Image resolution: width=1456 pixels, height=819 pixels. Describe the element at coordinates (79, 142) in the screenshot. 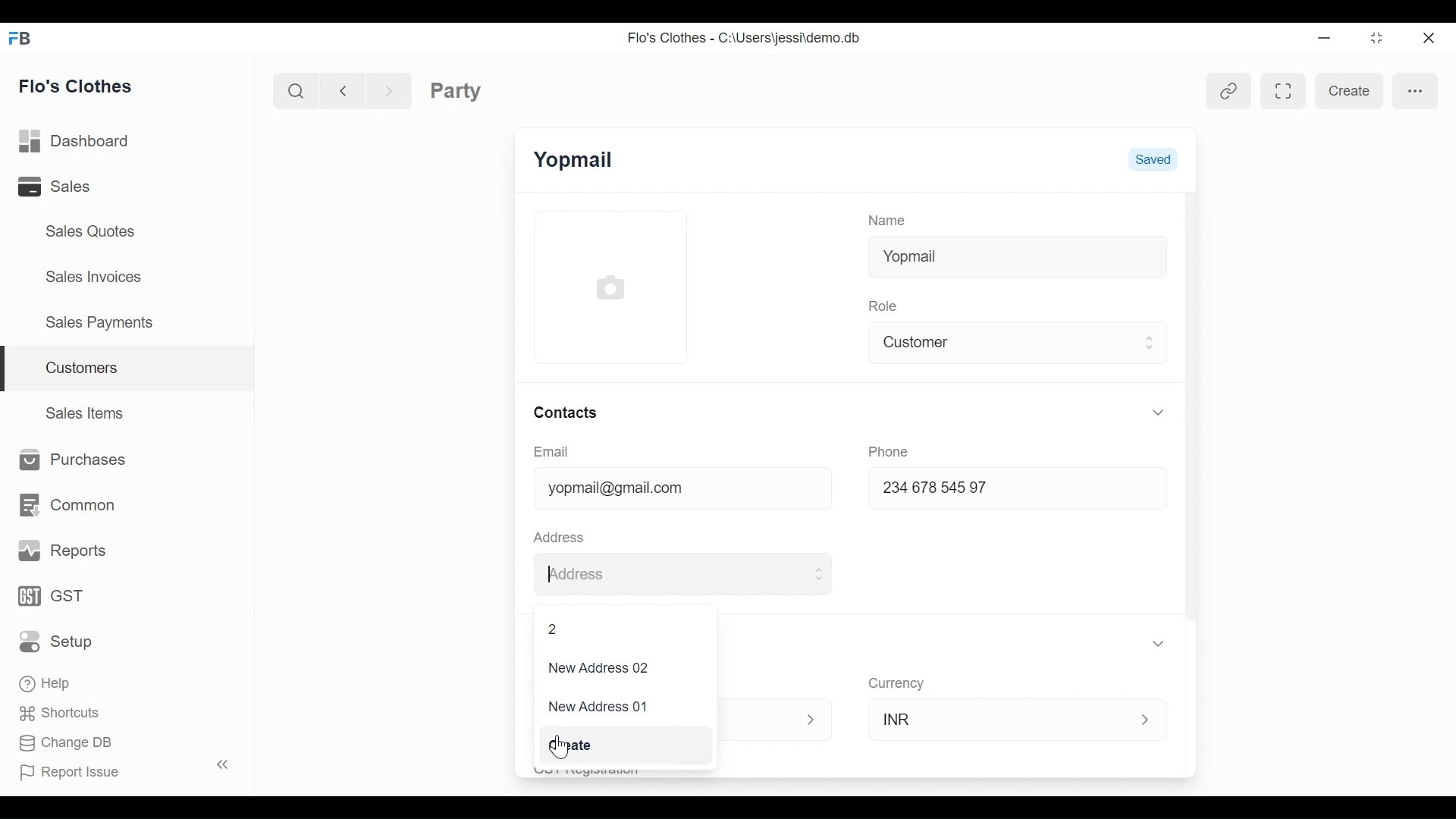

I see `Dashboard` at that location.